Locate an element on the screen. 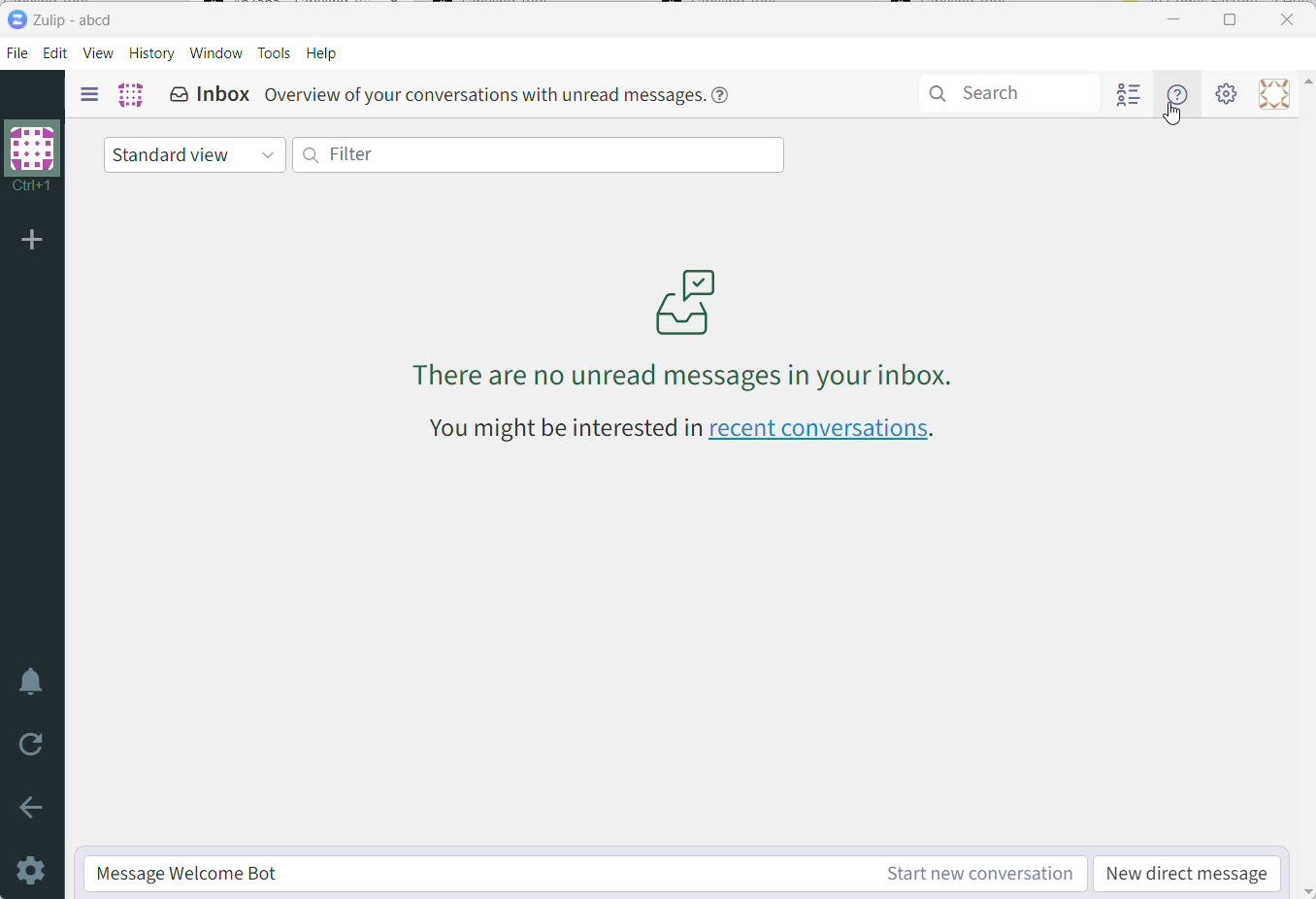  Standard view is located at coordinates (194, 154).